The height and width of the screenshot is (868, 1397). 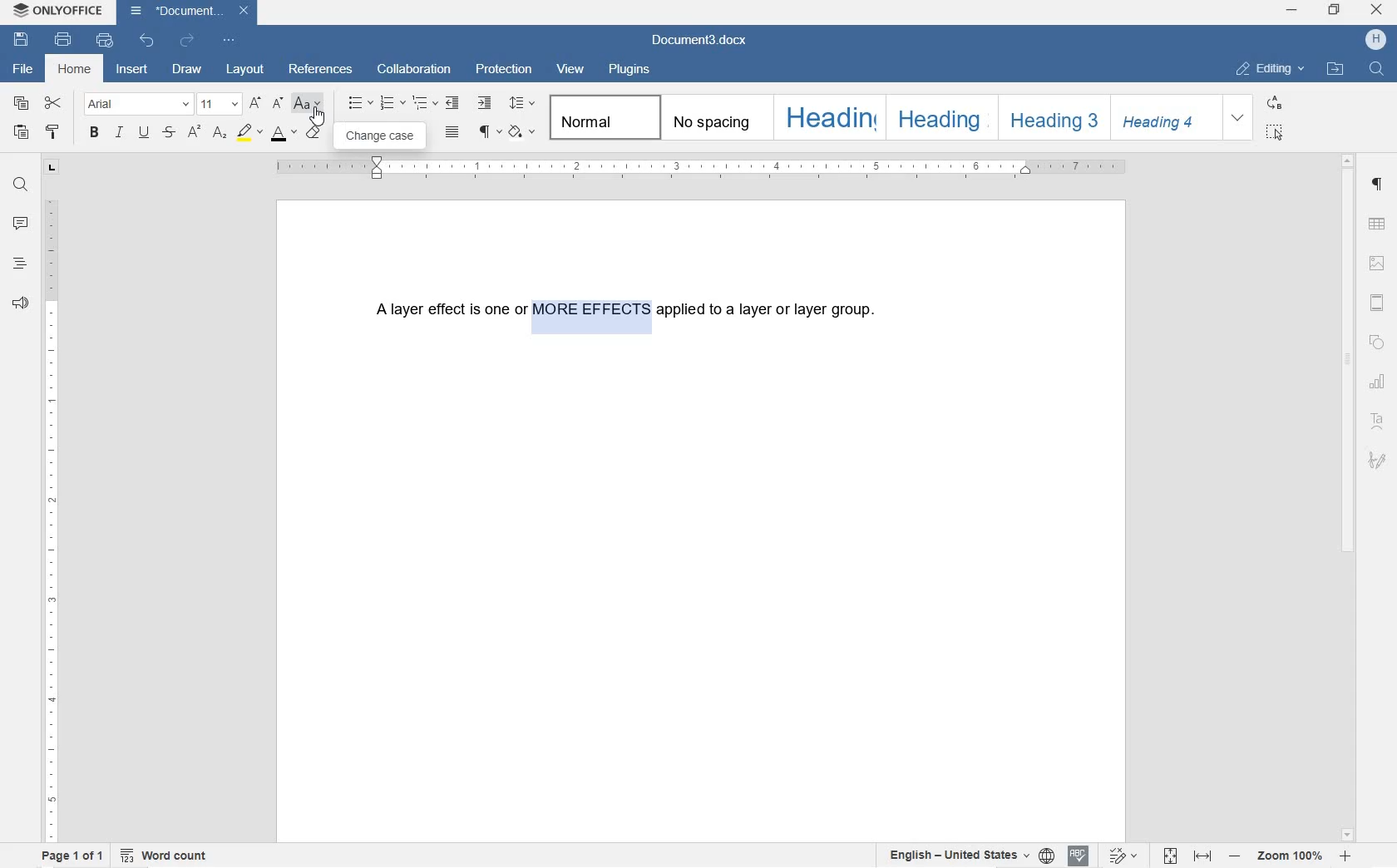 What do you see at coordinates (77, 70) in the screenshot?
I see `HOME` at bounding box center [77, 70].